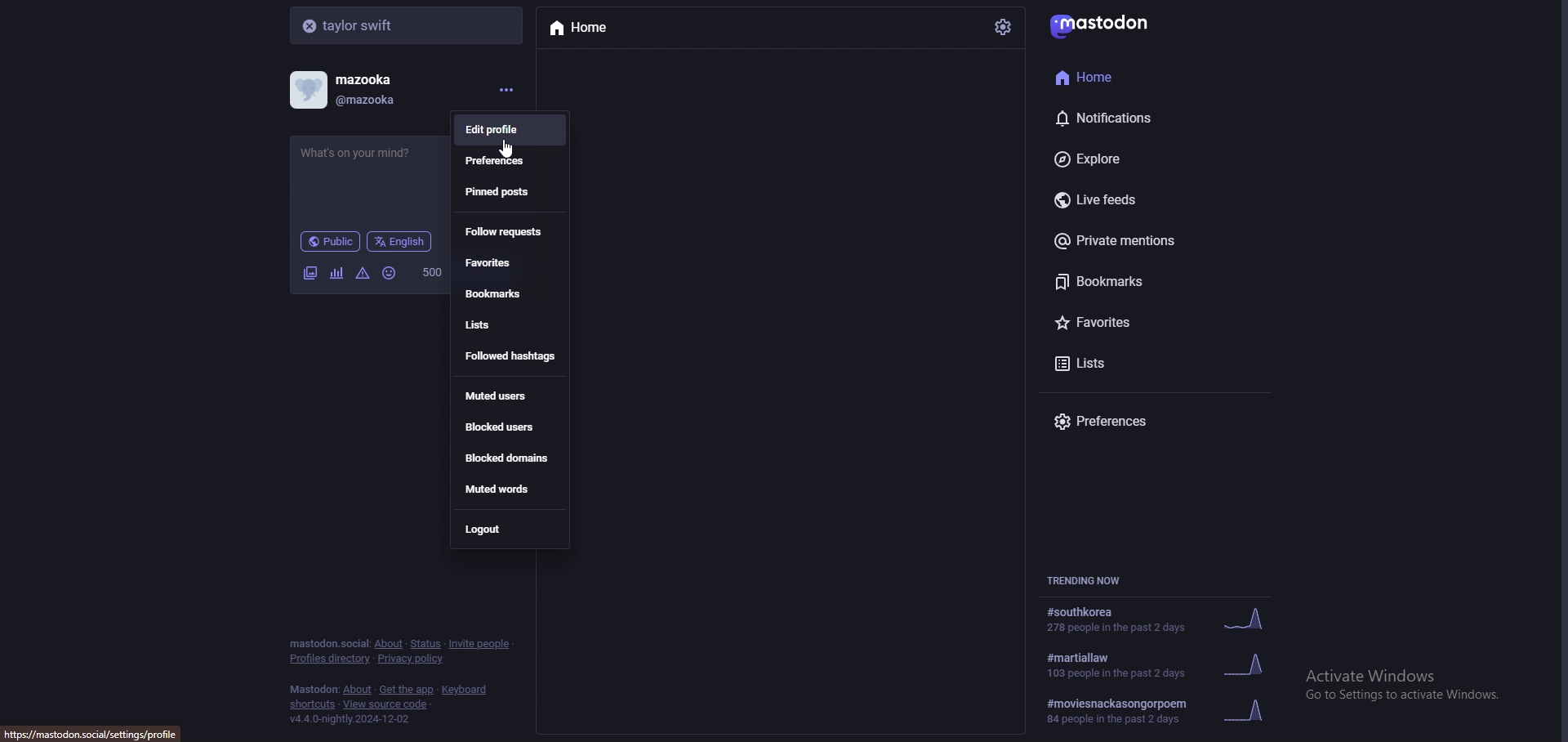 Image resolution: width=1568 pixels, height=742 pixels. I want to click on profiles directory, so click(330, 660).